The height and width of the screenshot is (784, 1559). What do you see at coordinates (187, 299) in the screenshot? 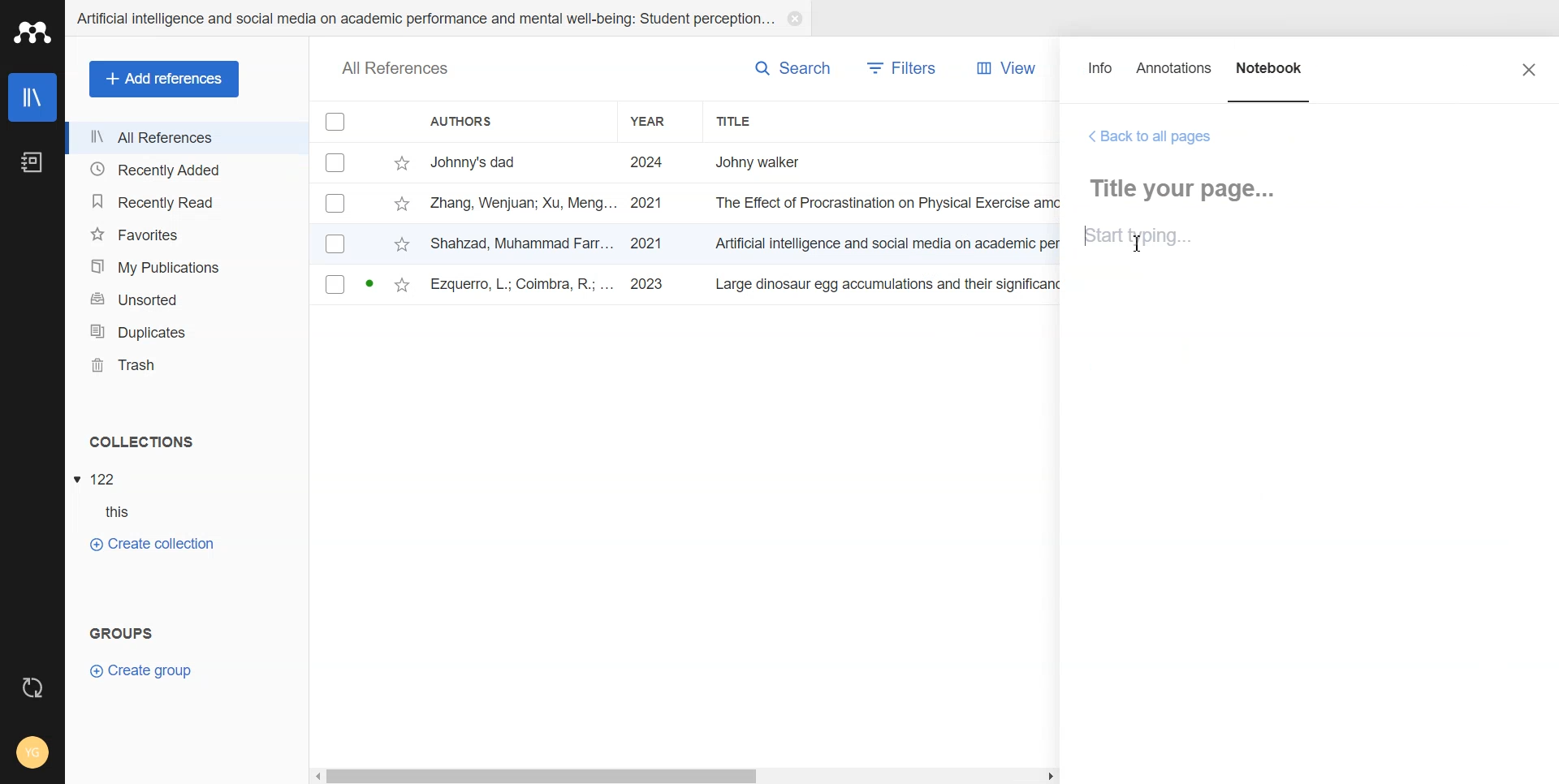
I see `Unsorted` at bounding box center [187, 299].